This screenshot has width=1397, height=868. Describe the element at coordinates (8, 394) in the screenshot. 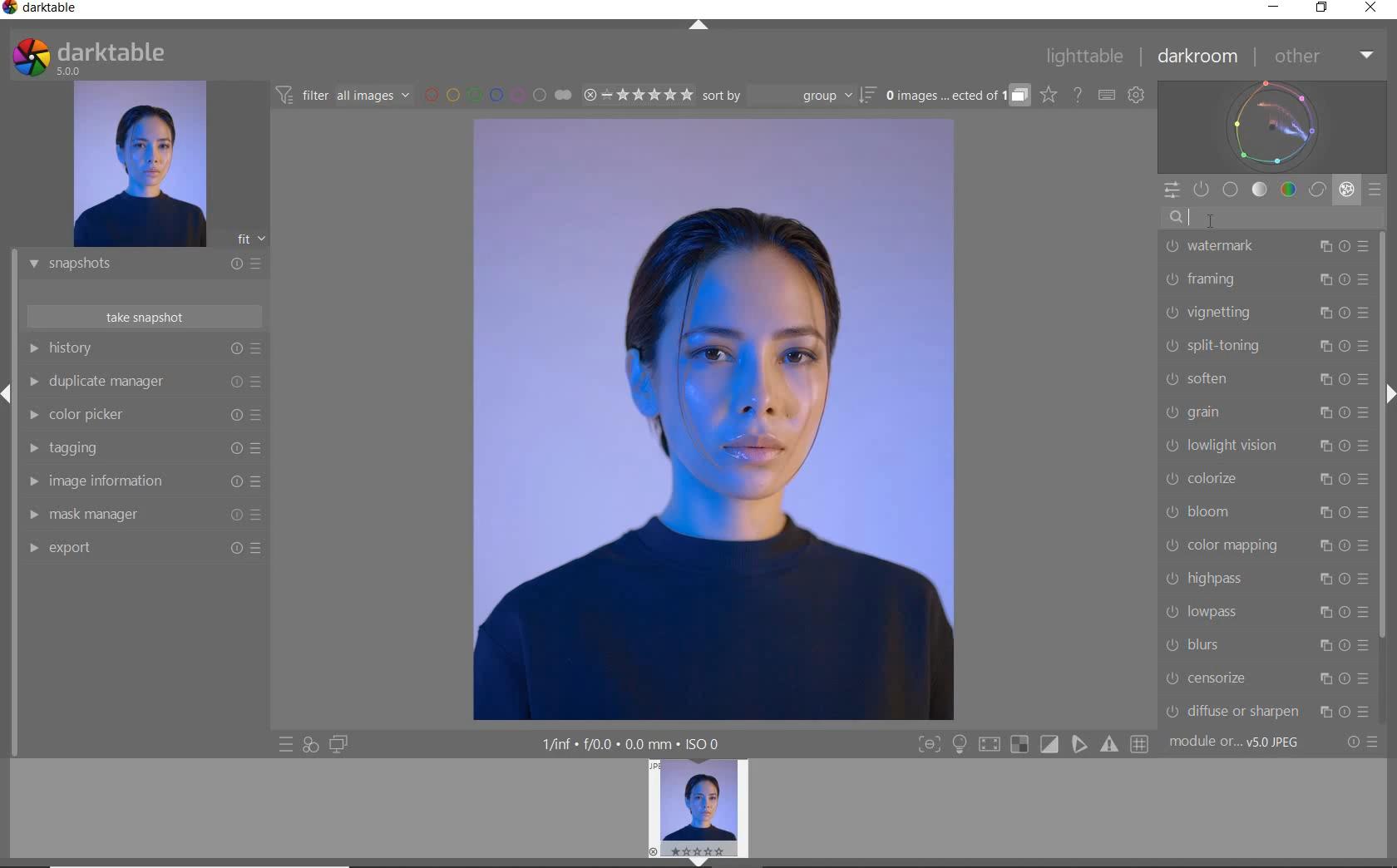

I see `Expand/Collapse` at that location.